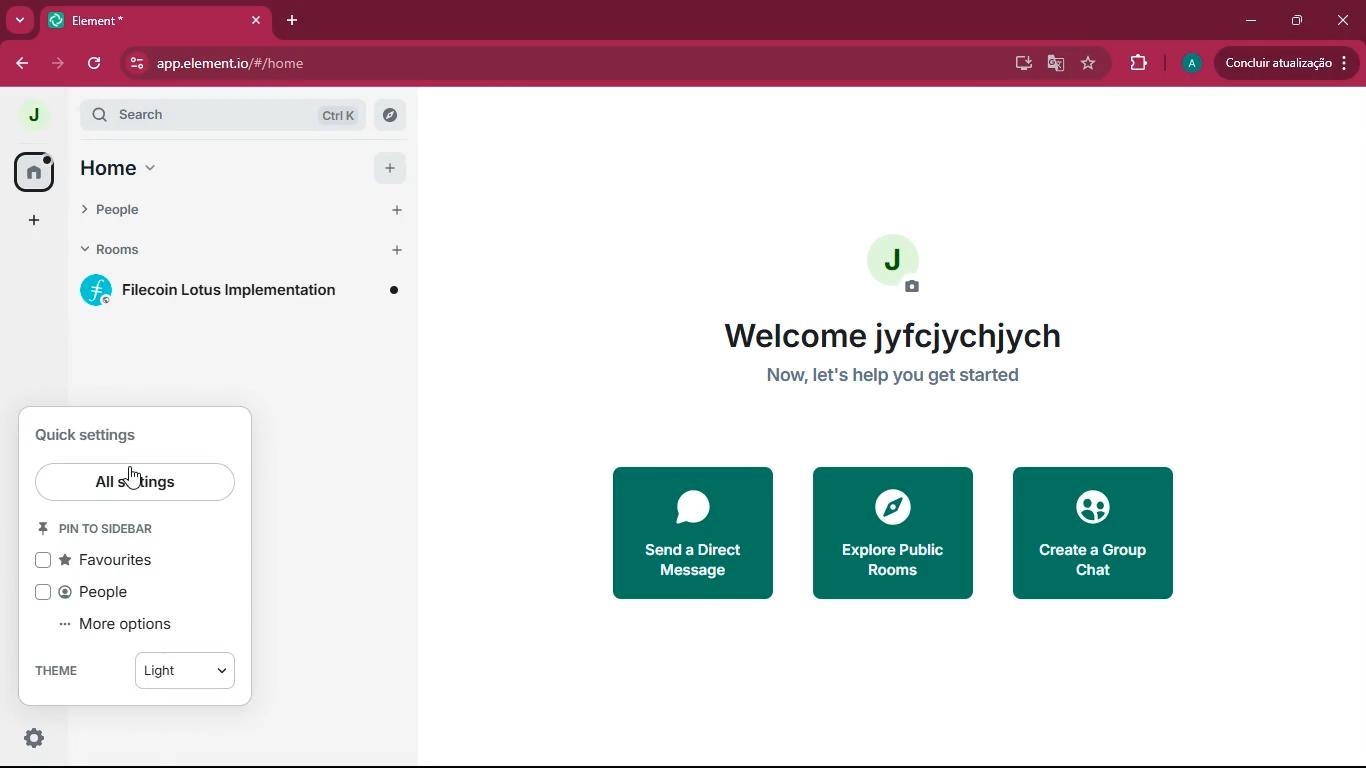  What do you see at coordinates (691, 532) in the screenshot?
I see `send` at bounding box center [691, 532].